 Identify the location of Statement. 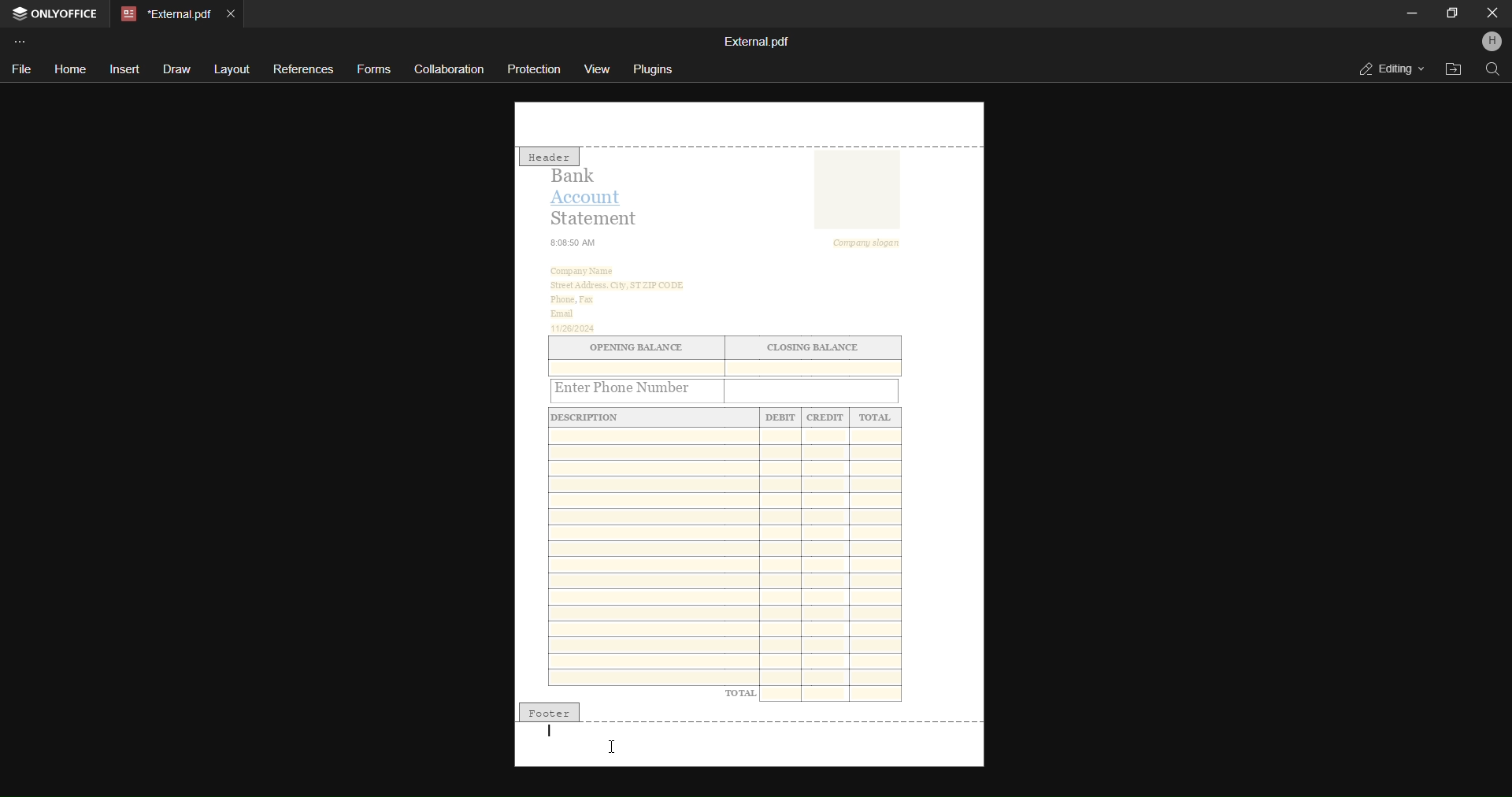
(597, 218).